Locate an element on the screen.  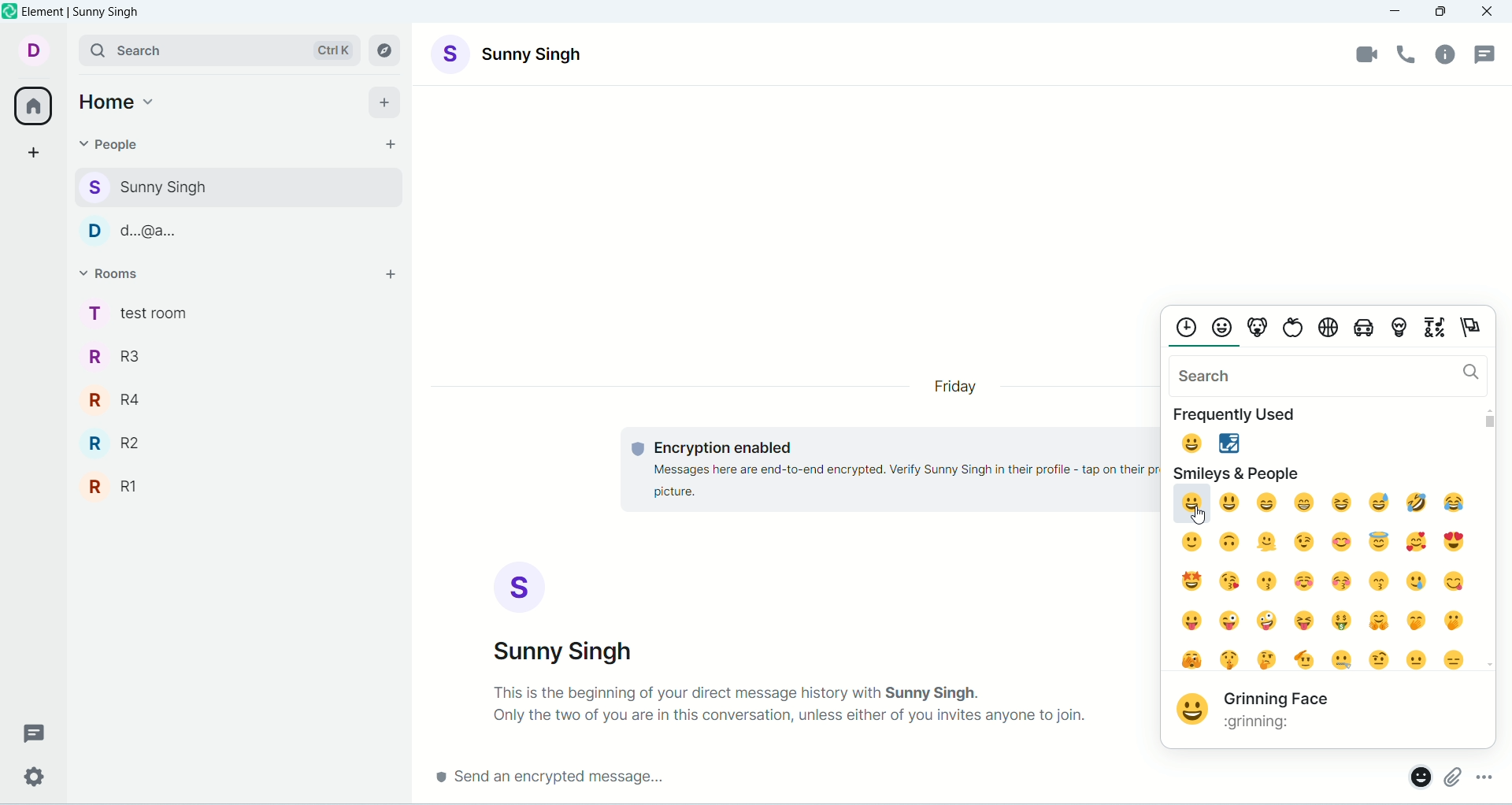
frequently used emojis is located at coordinates (1206, 441).